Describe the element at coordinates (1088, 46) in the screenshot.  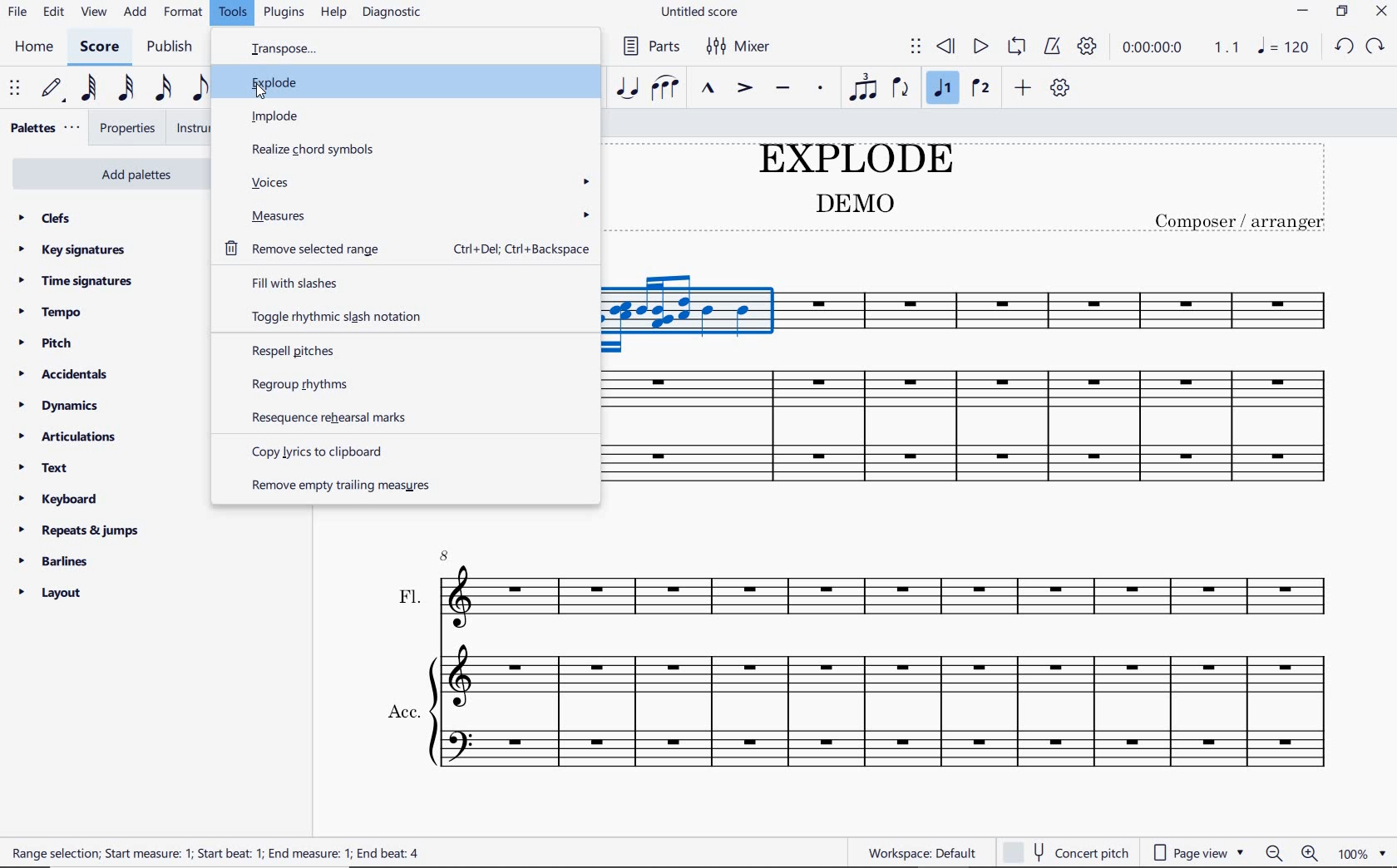
I see `playback settings` at that location.